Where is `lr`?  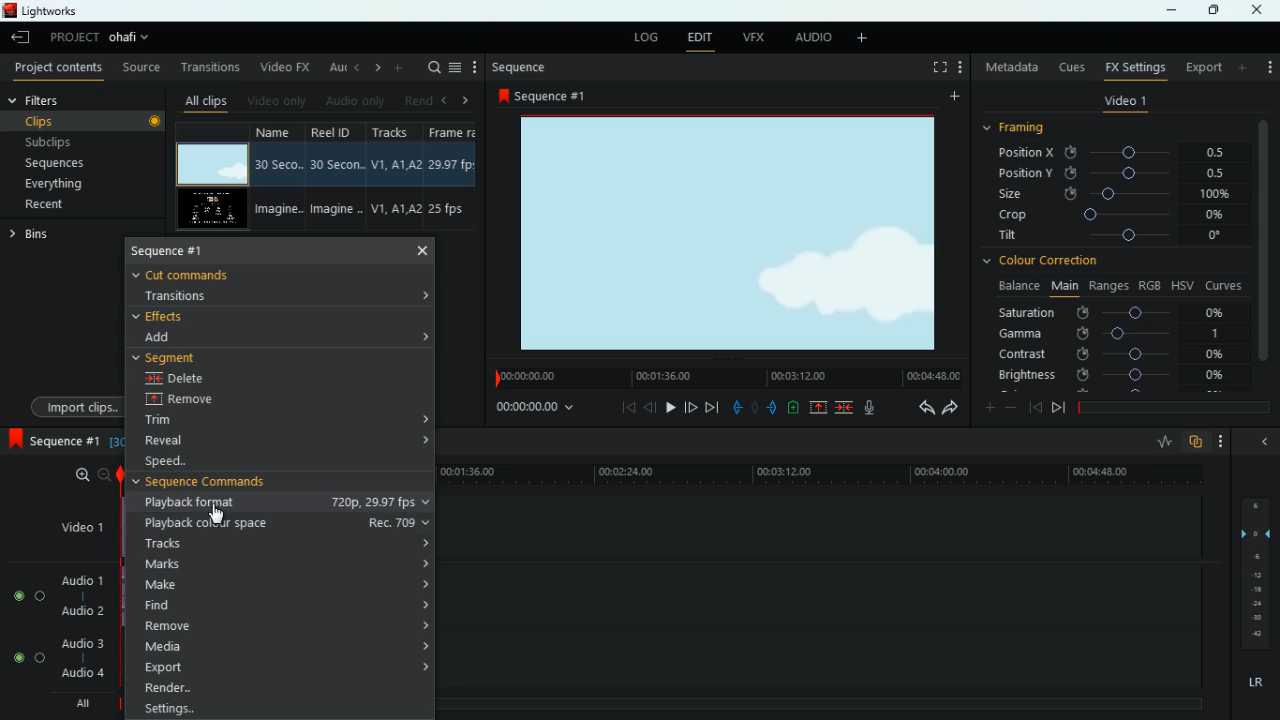 lr is located at coordinates (1253, 684).